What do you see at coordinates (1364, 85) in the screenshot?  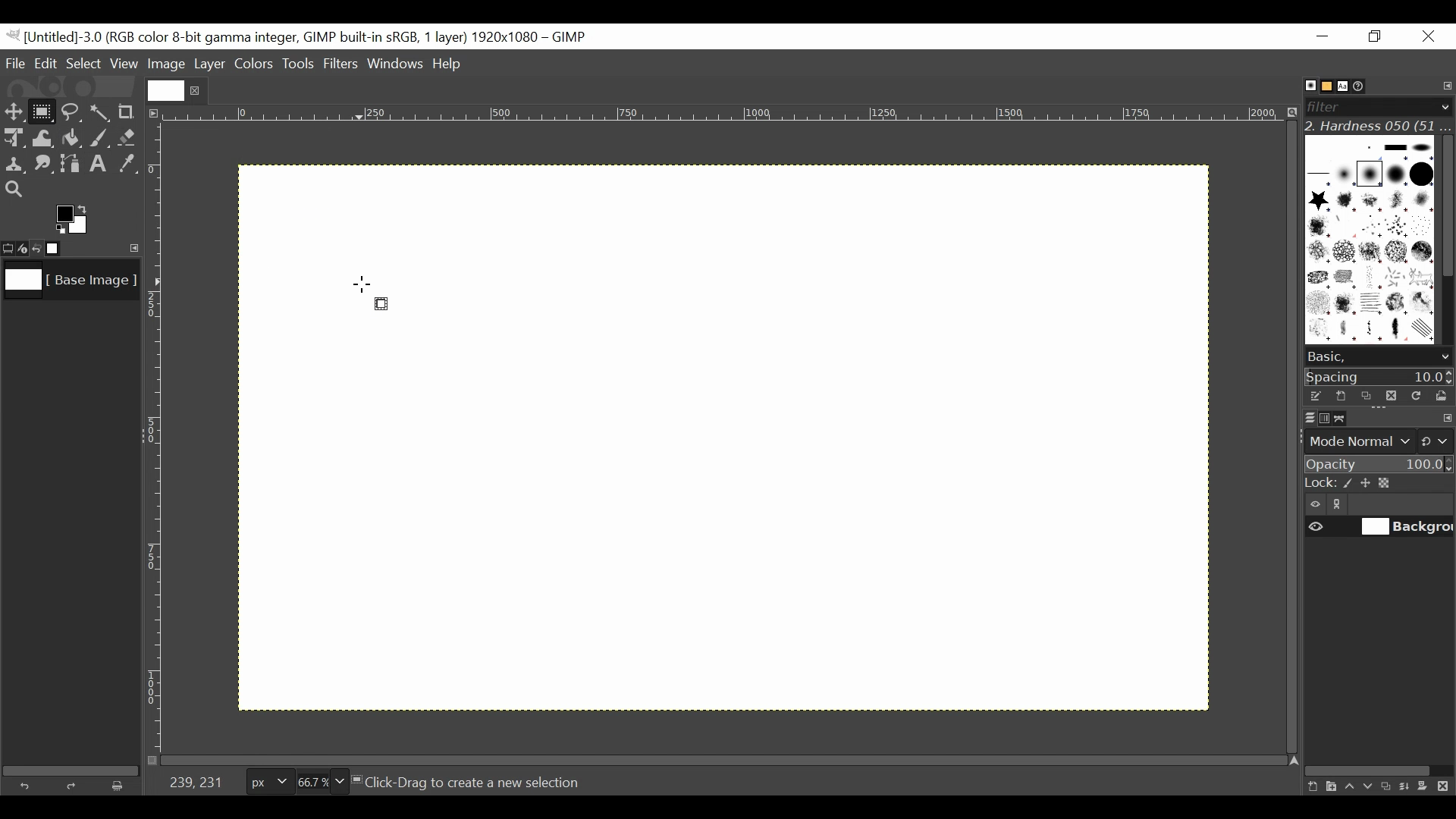 I see `Document History` at bounding box center [1364, 85].